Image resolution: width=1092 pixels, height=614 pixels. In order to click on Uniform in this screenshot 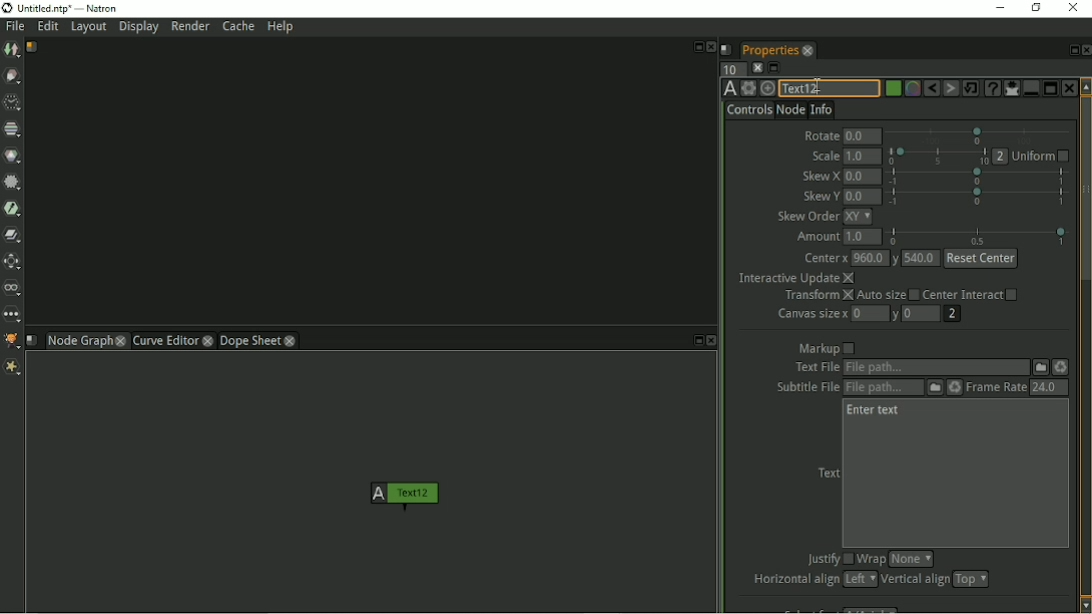, I will do `click(1041, 157)`.